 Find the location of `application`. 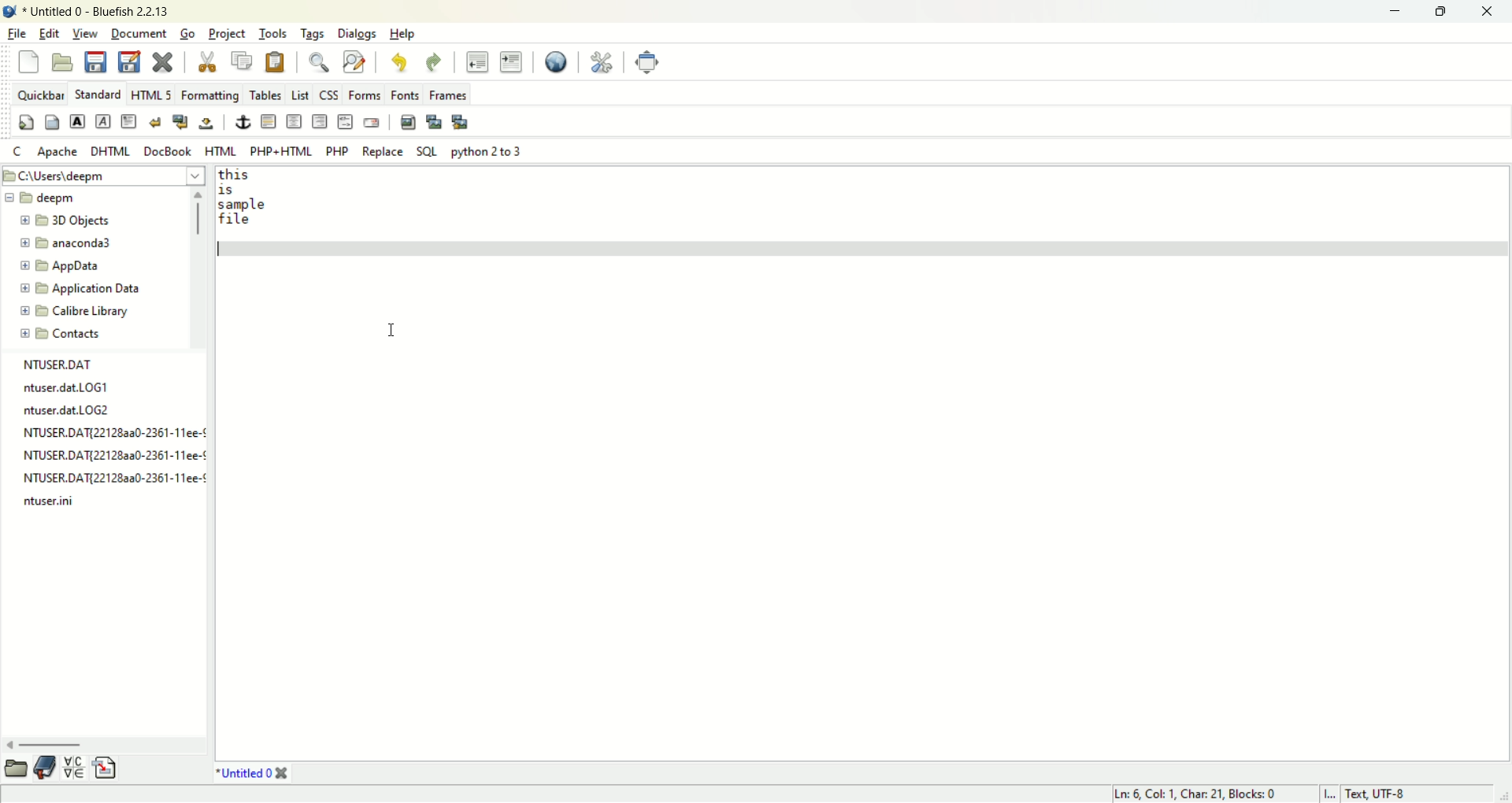

application is located at coordinates (80, 290).